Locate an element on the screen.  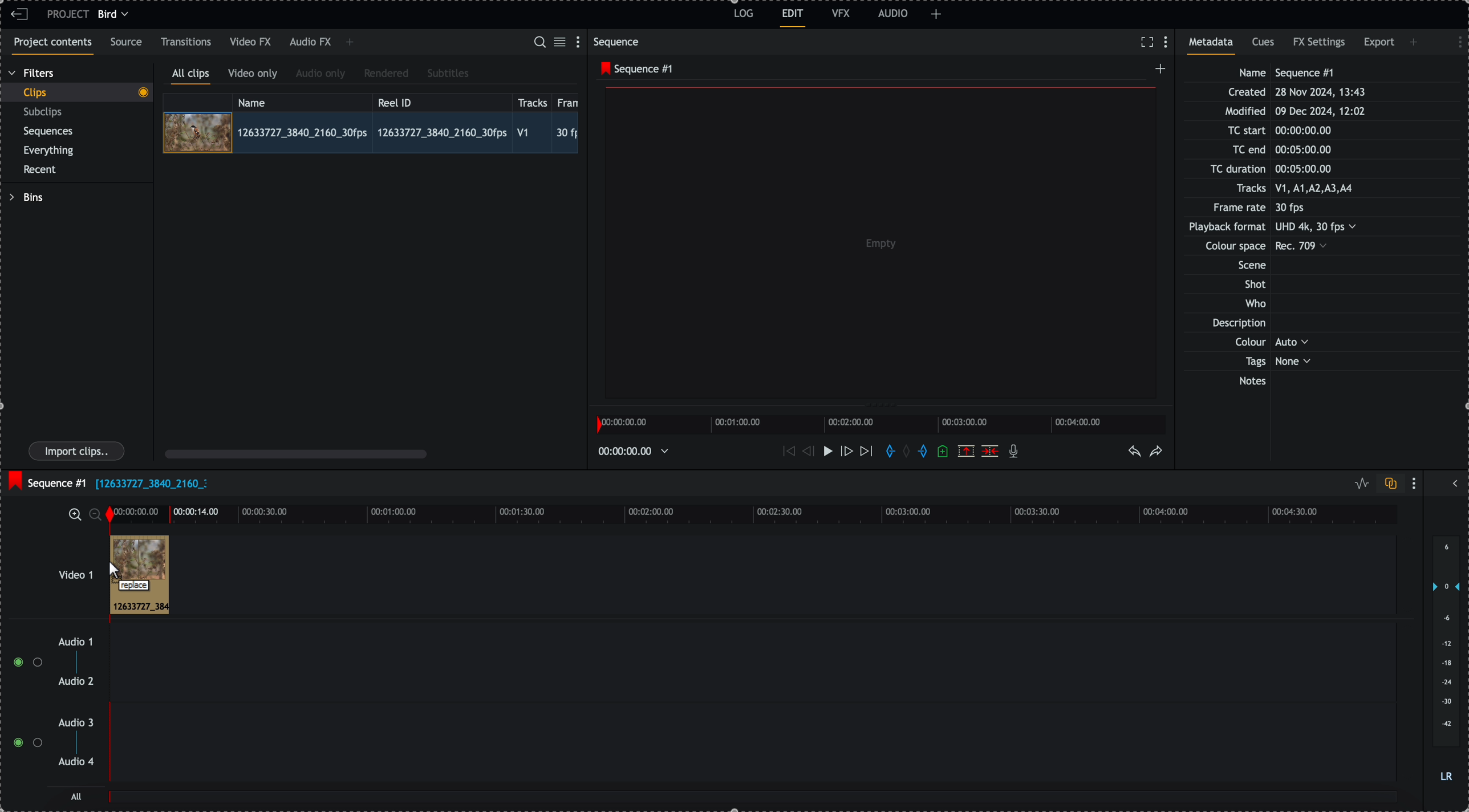
file is located at coordinates (151, 485).